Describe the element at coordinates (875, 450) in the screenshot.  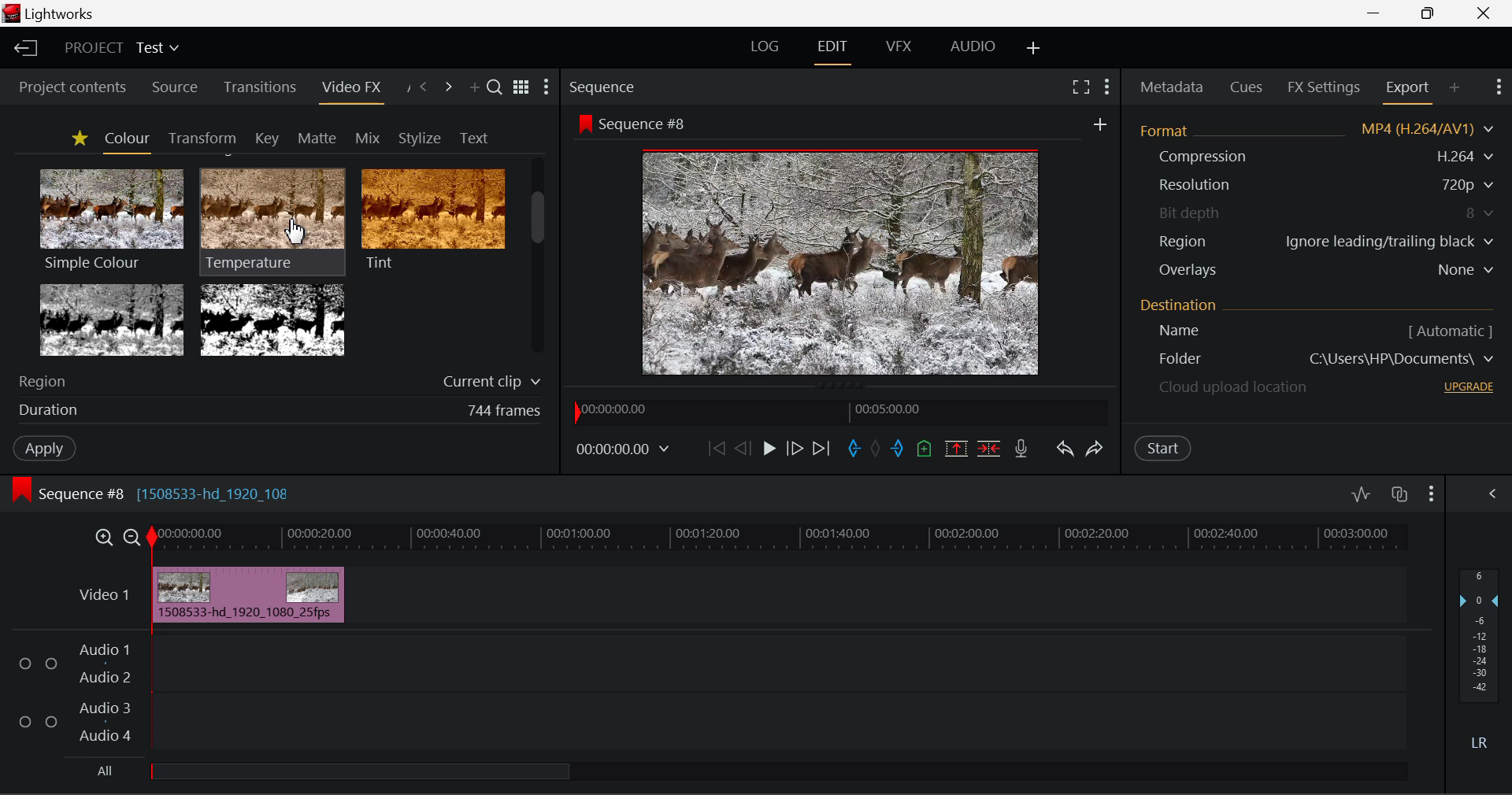
I see `Remove all marks` at that location.